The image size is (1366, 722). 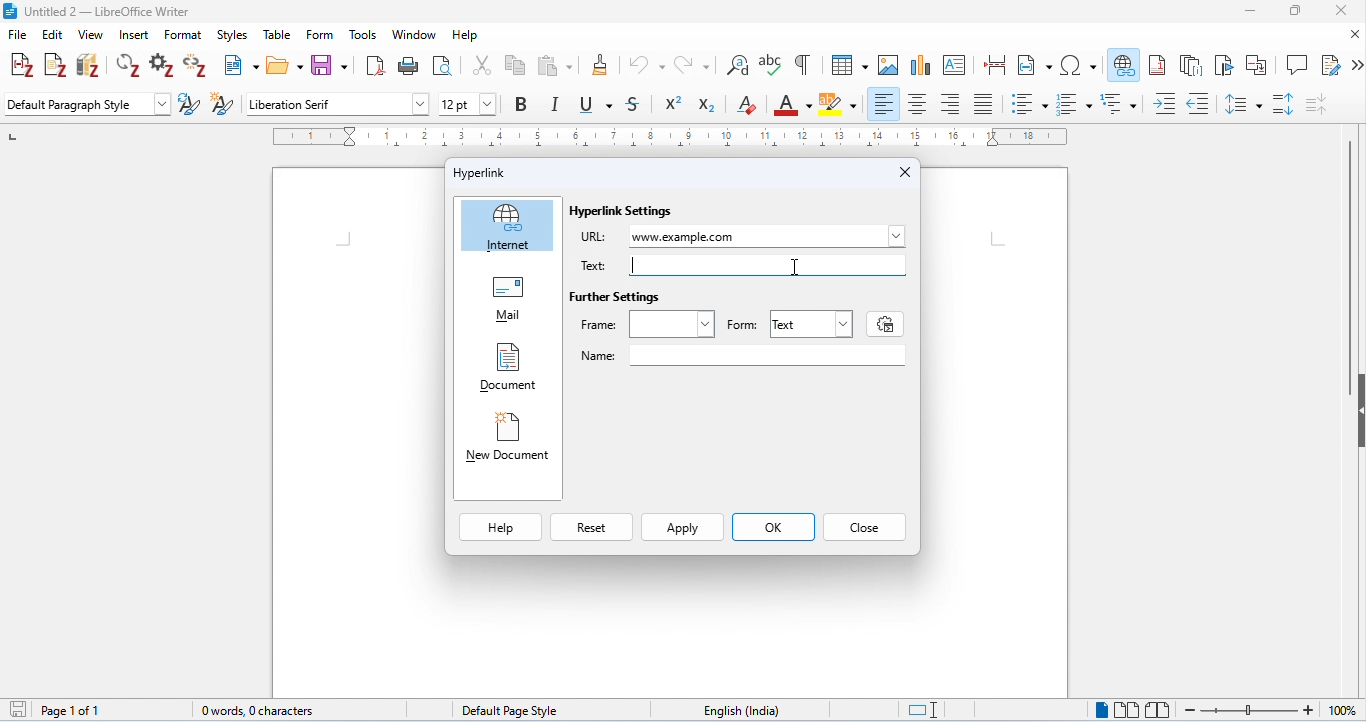 What do you see at coordinates (748, 105) in the screenshot?
I see `clear formatting` at bounding box center [748, 105].